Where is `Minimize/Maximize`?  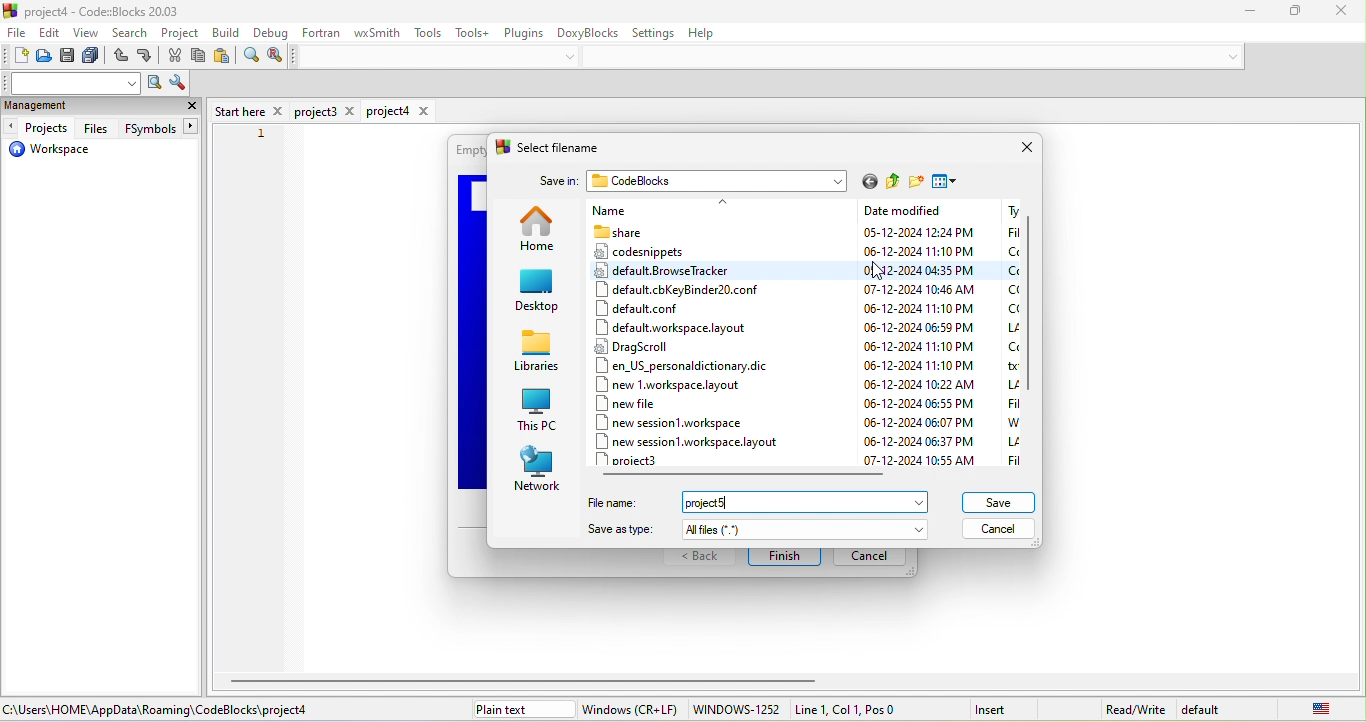
Minimize/Maximize is located at coordinates (1287, 12).